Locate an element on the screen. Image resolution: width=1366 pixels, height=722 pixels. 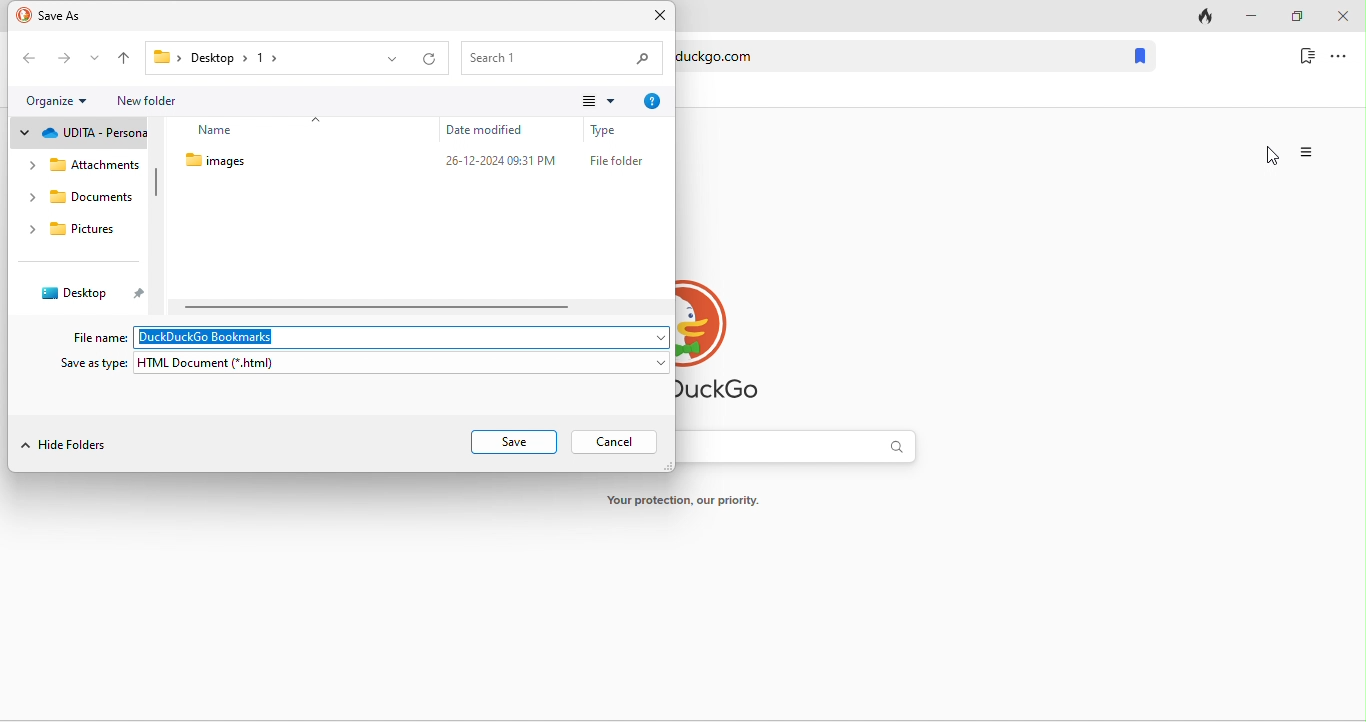
close is located at coordinates (659, 16).